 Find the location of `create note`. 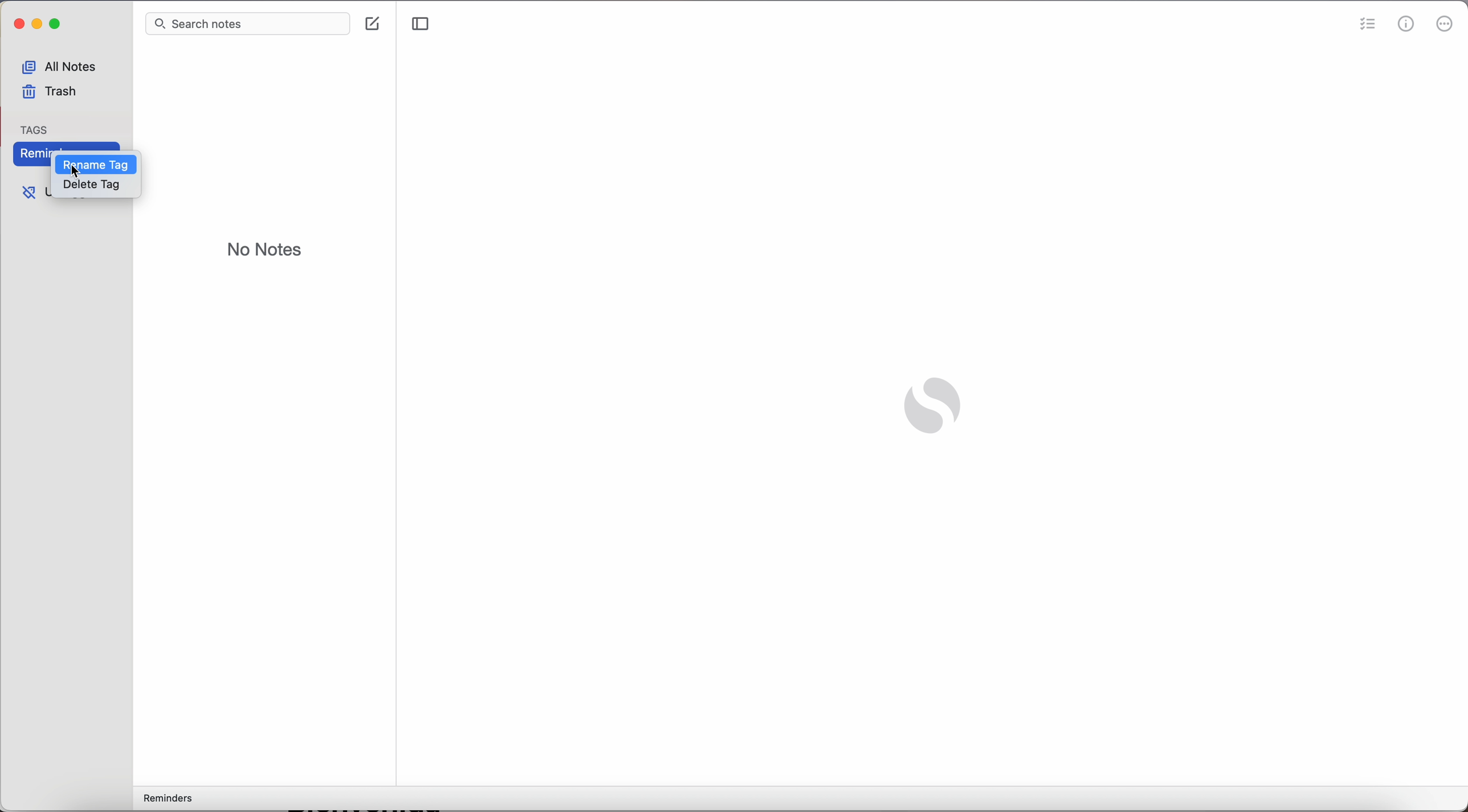

create note is located at coordinates (374, 24).